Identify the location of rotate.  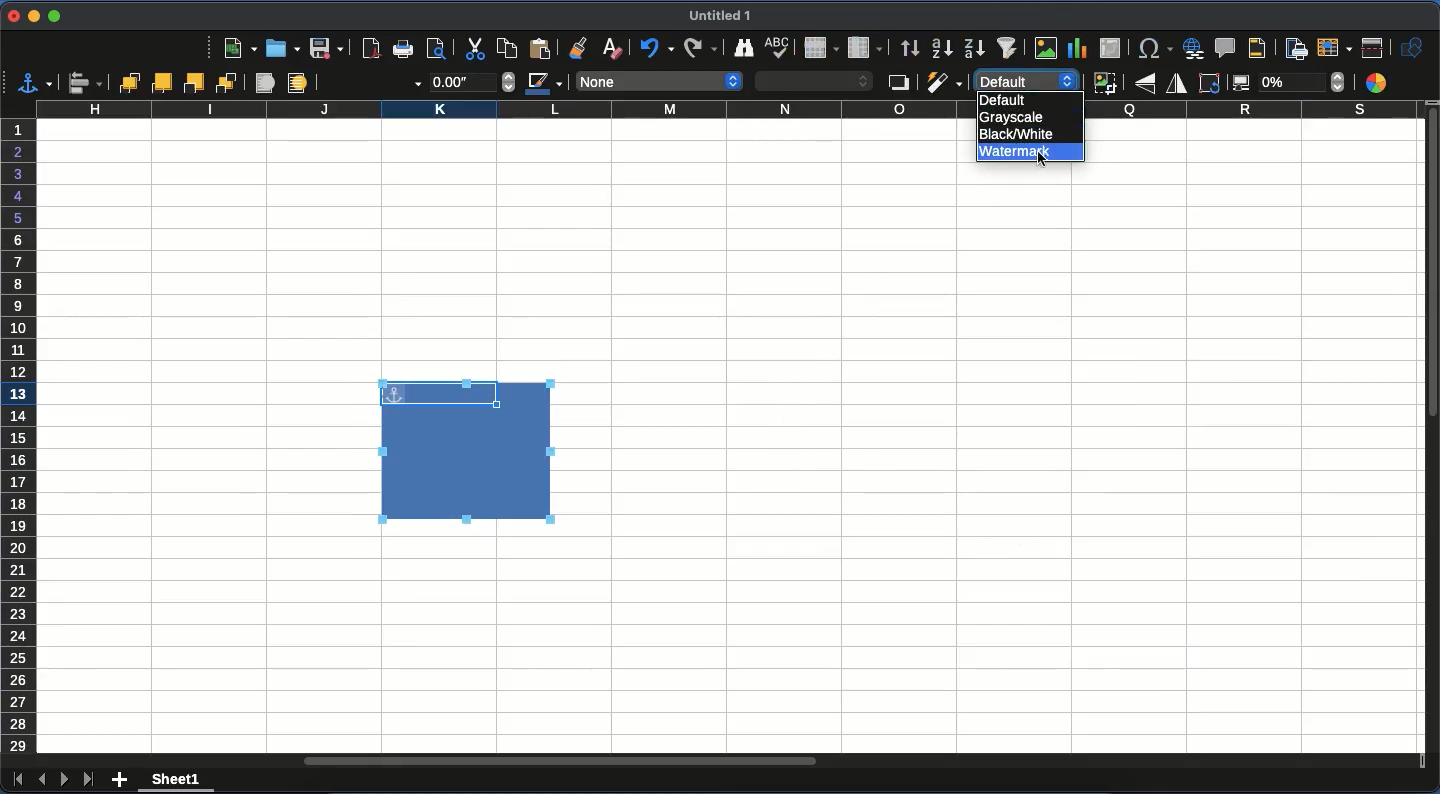
(1210, 85).